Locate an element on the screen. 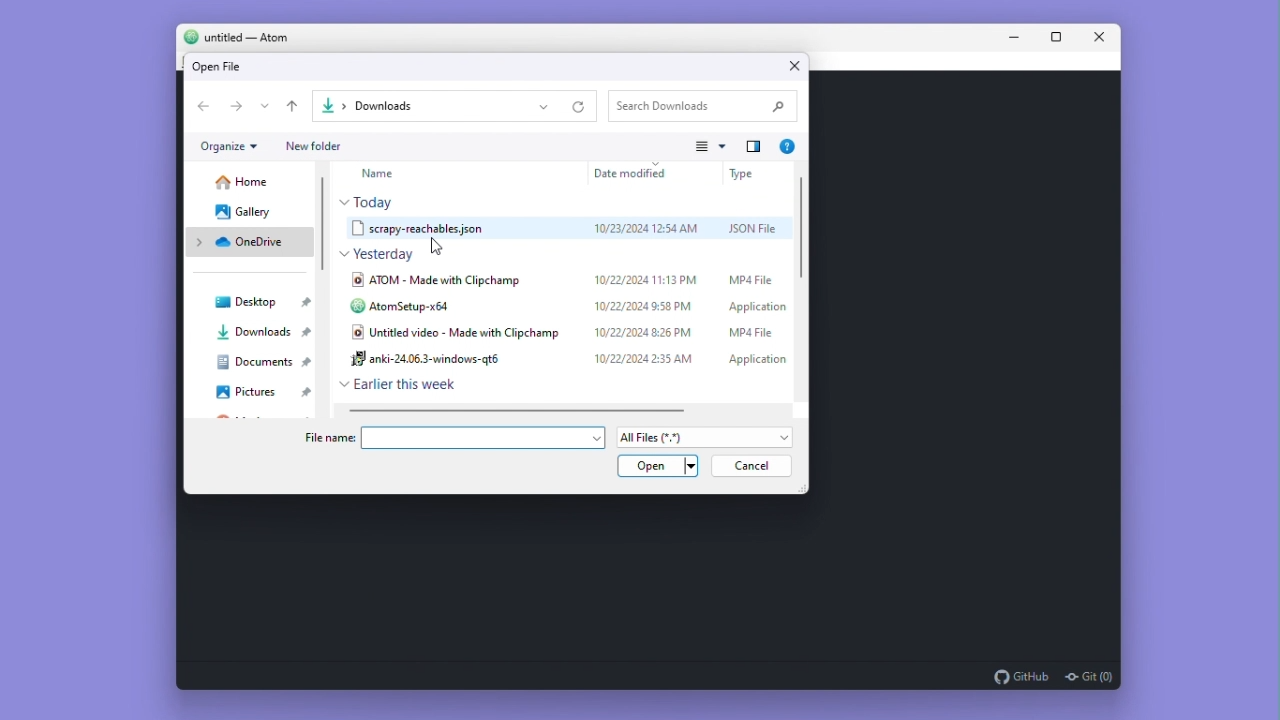  cursor is located at coordinates (444, 245).